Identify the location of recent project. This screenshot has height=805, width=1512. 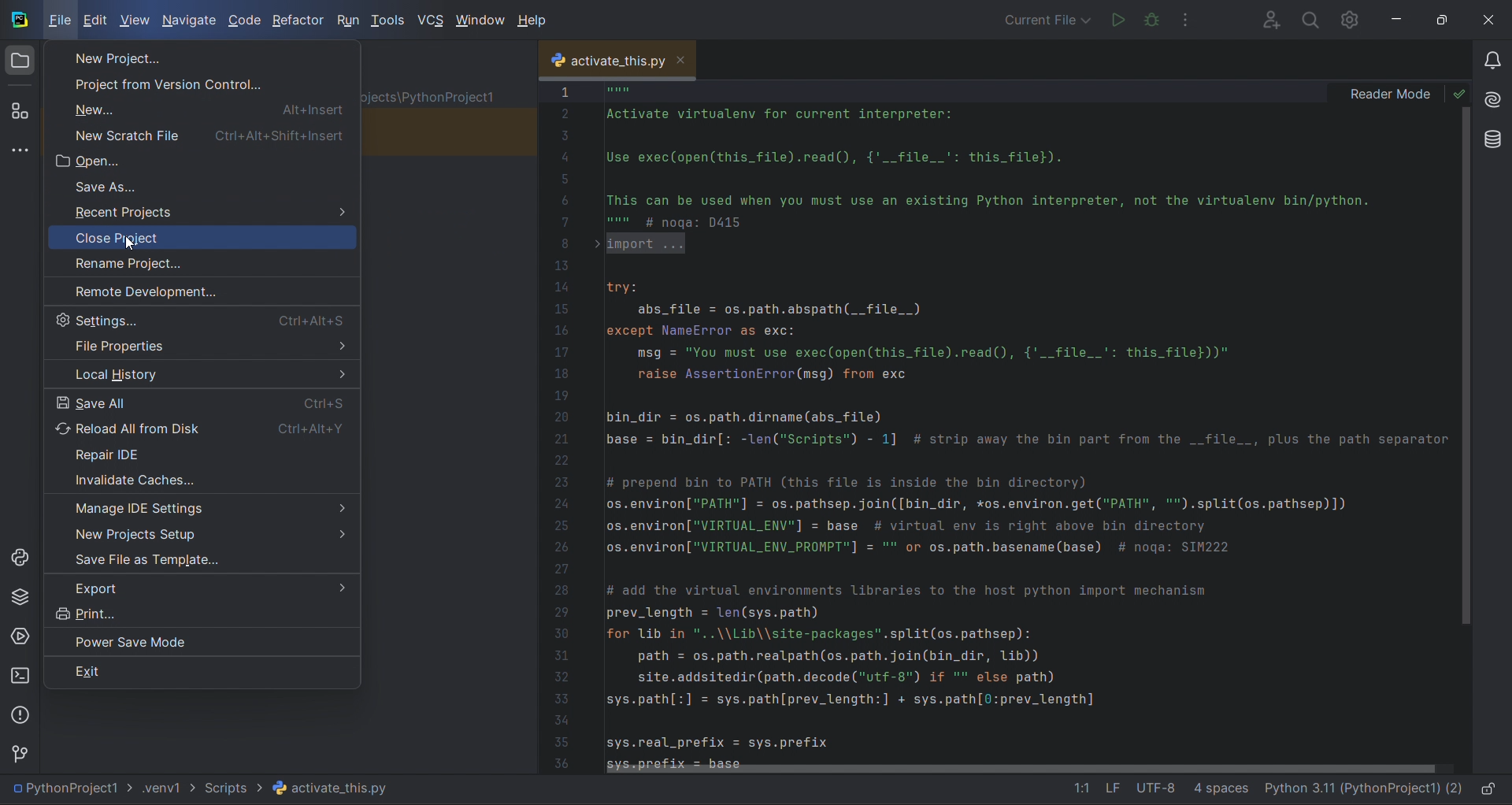
(200, 208).